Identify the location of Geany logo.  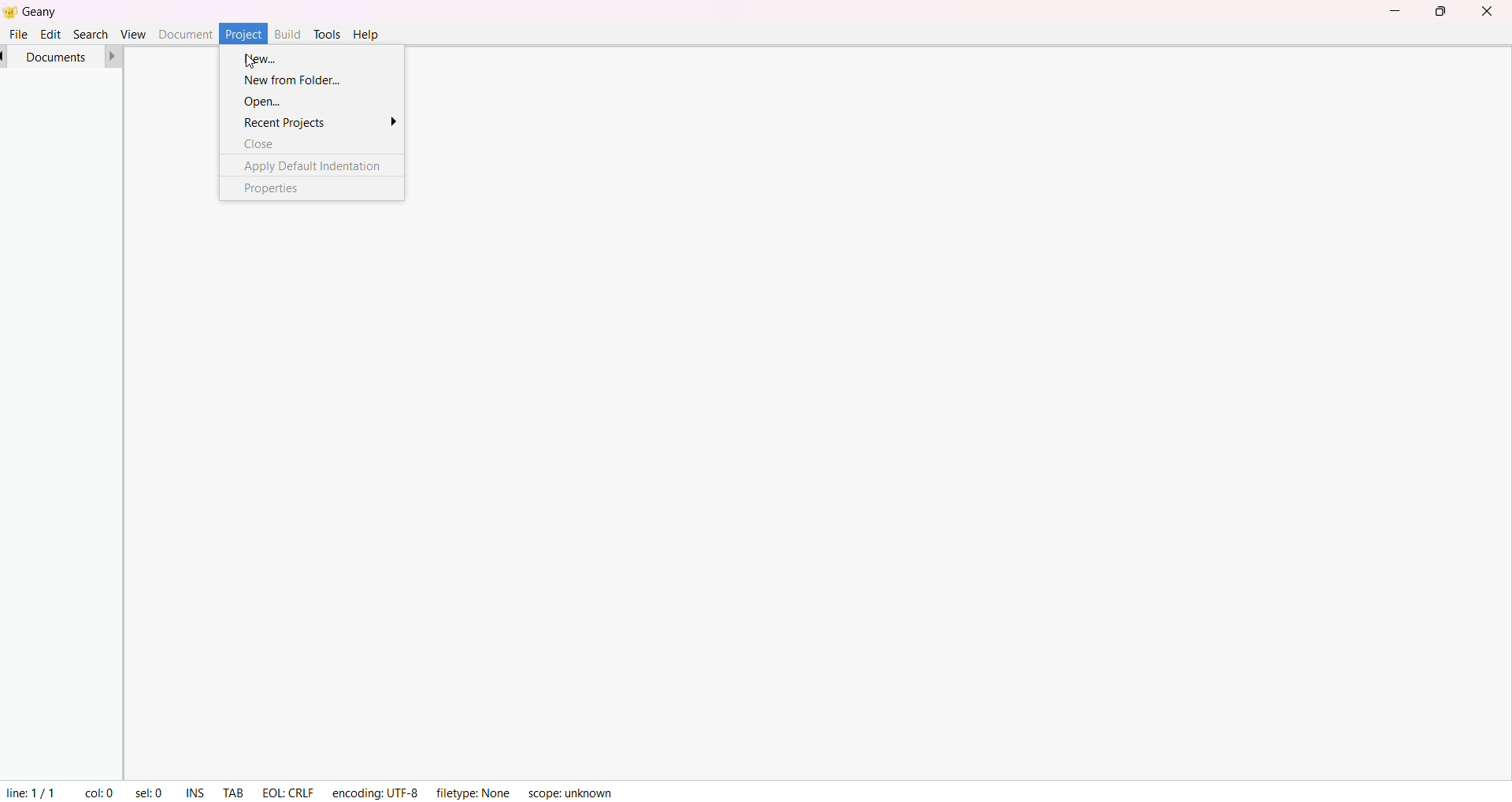
(9, 11).